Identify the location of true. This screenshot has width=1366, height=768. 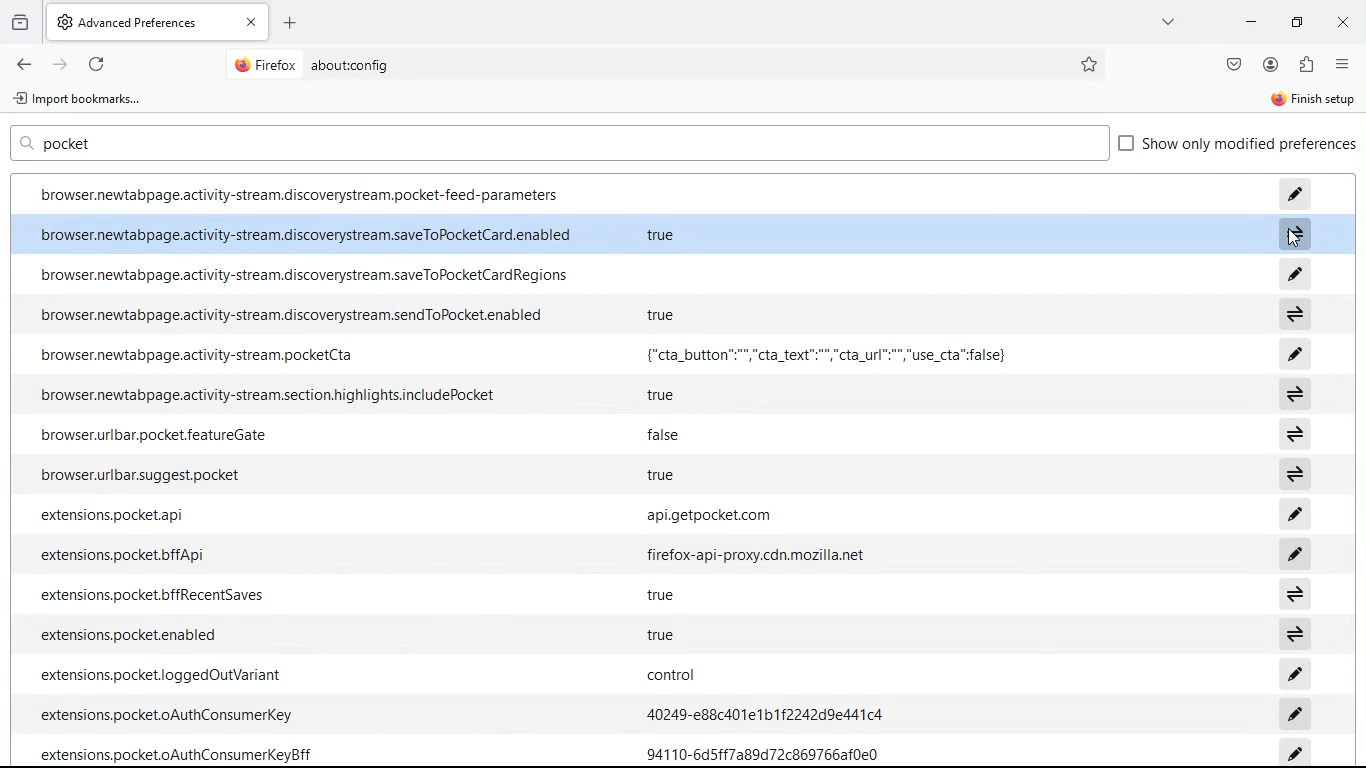
(663, 393).